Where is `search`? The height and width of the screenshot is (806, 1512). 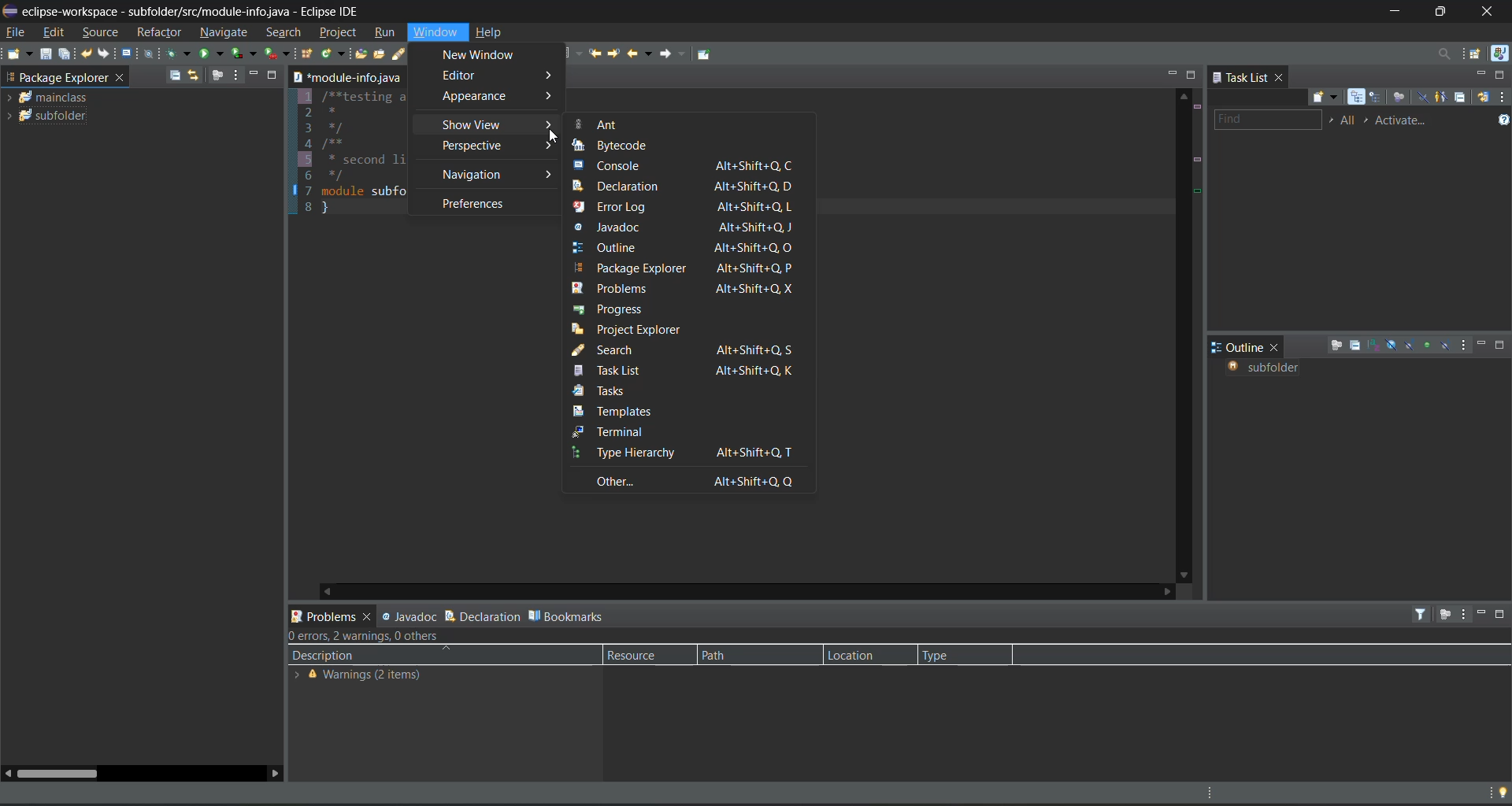 search is located at coordinates (287, 33).